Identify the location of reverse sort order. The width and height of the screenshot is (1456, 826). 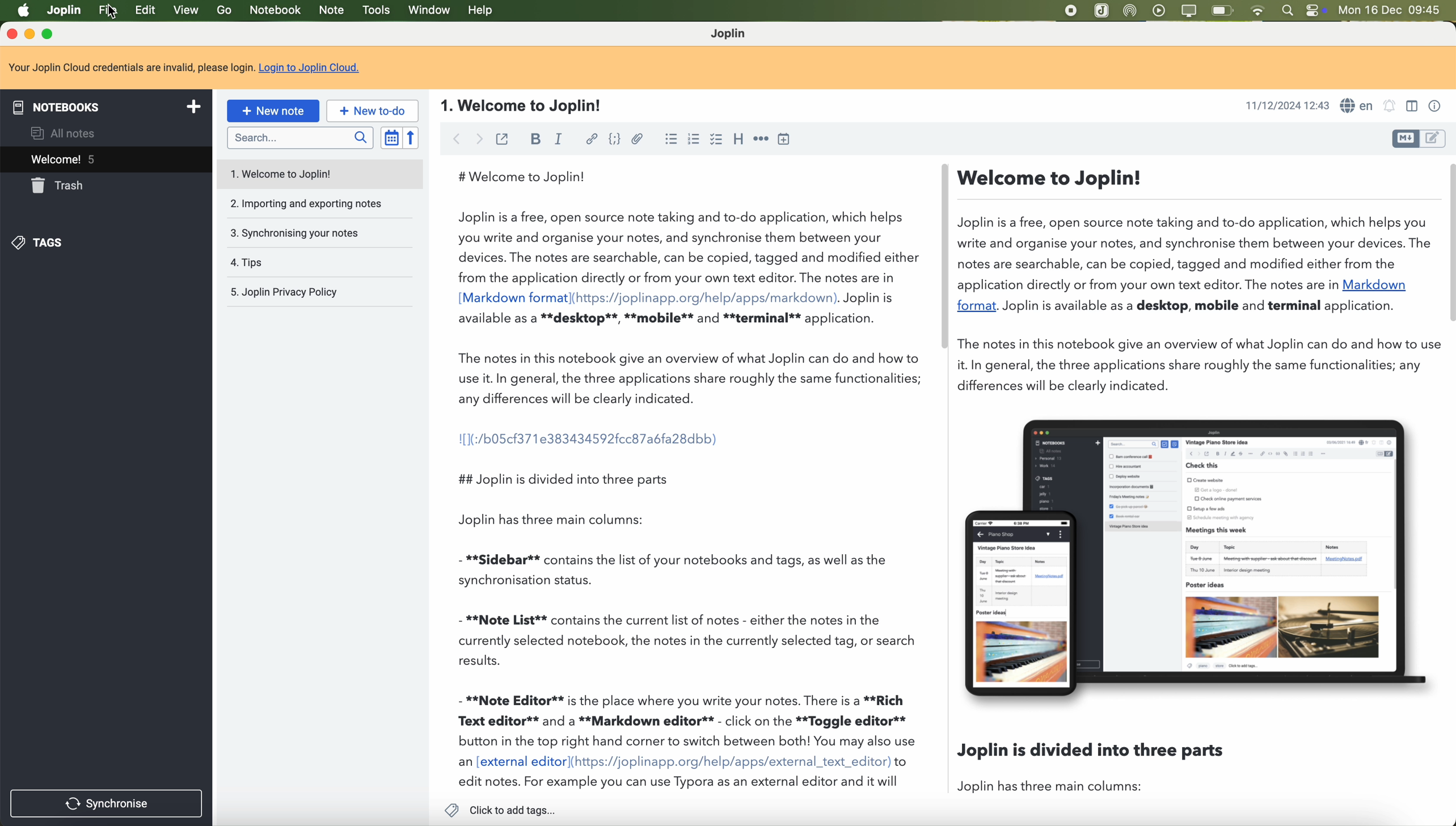
(410, 138).